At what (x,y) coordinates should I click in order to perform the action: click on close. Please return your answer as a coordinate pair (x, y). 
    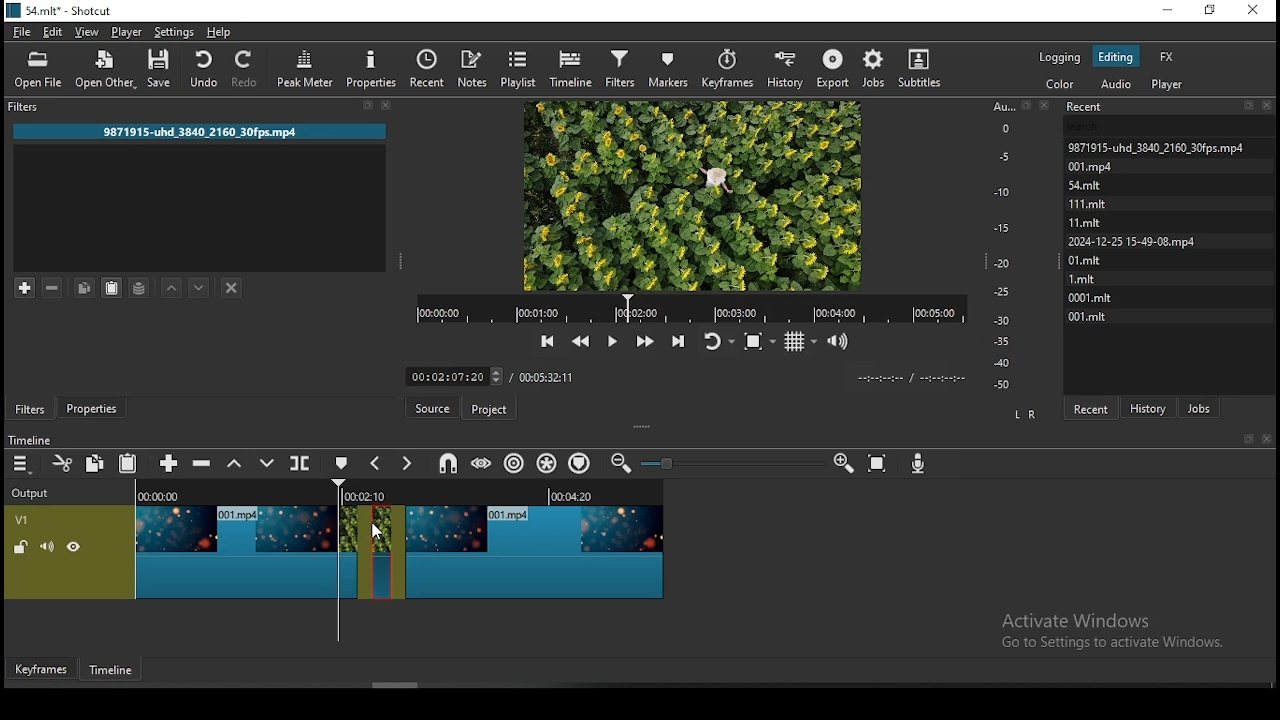
    Looking at the image, I should click on (1267, 439).